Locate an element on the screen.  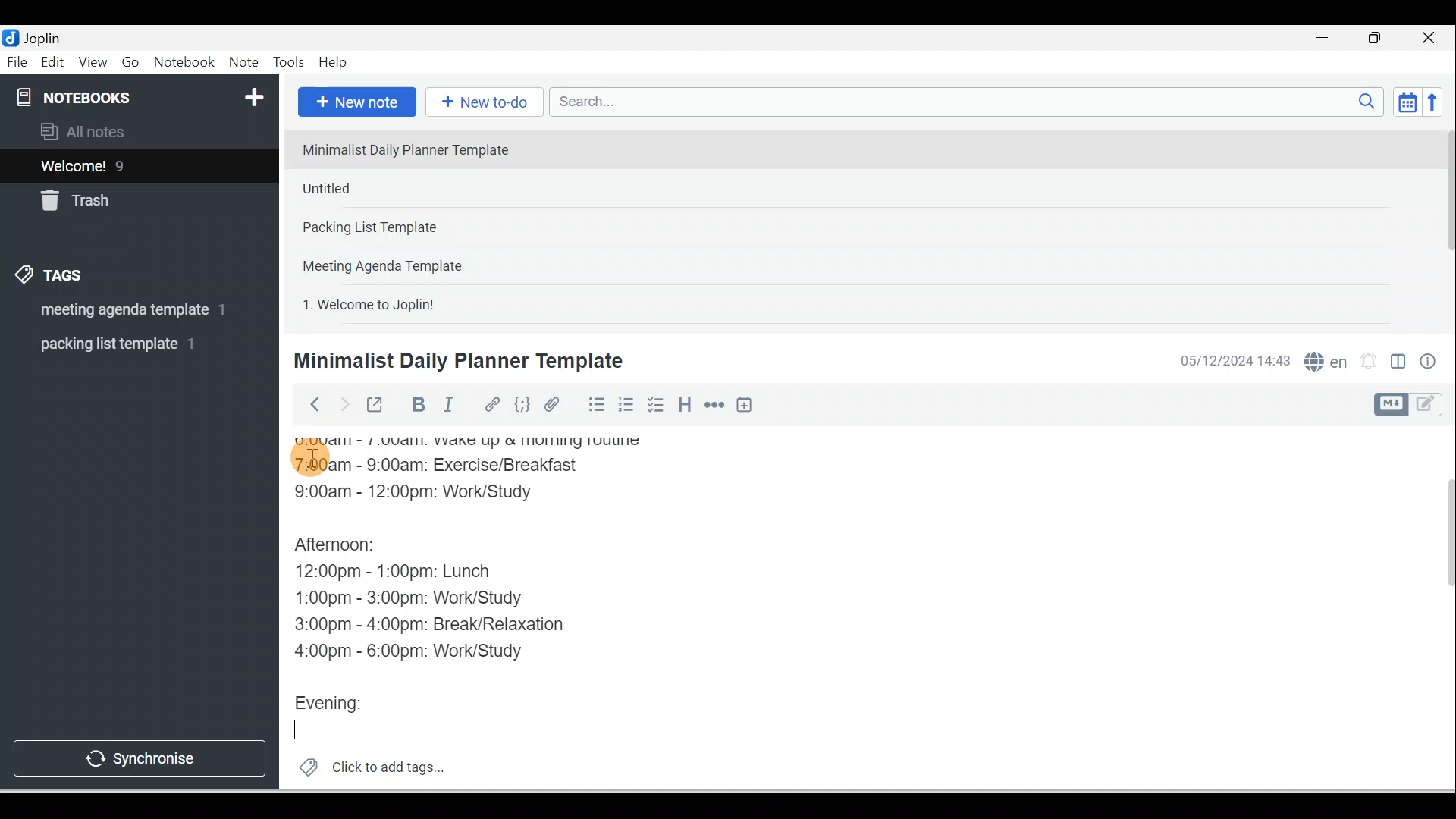
New note is located at coordinates (354, 103).